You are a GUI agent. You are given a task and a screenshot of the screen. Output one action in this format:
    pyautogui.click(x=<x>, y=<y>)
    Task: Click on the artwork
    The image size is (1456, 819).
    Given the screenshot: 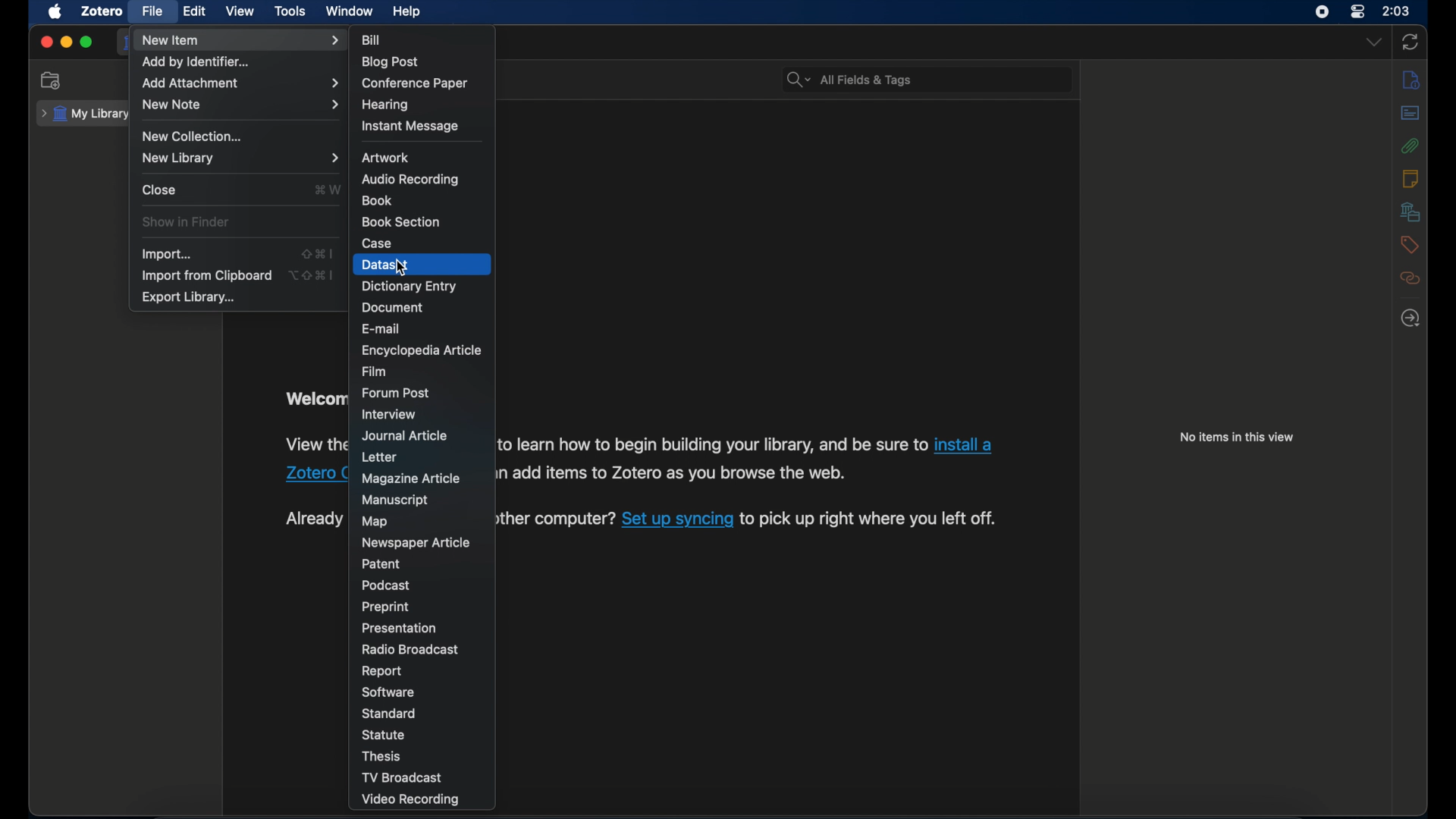 What is the action you would take?
    pyautogui.click(x=386, y=158)
    